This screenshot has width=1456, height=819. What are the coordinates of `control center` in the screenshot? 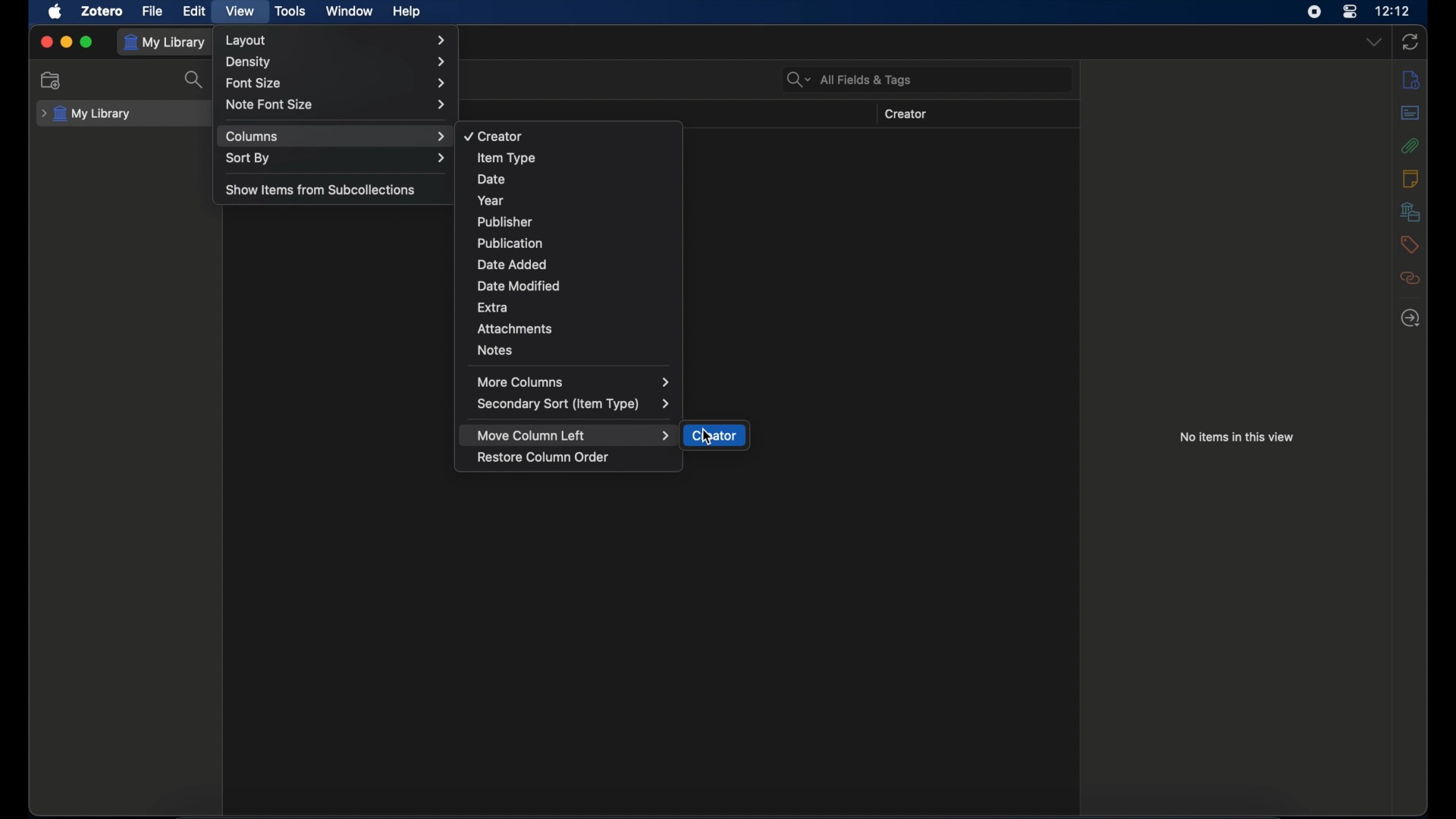 It's located at (1351, 12).